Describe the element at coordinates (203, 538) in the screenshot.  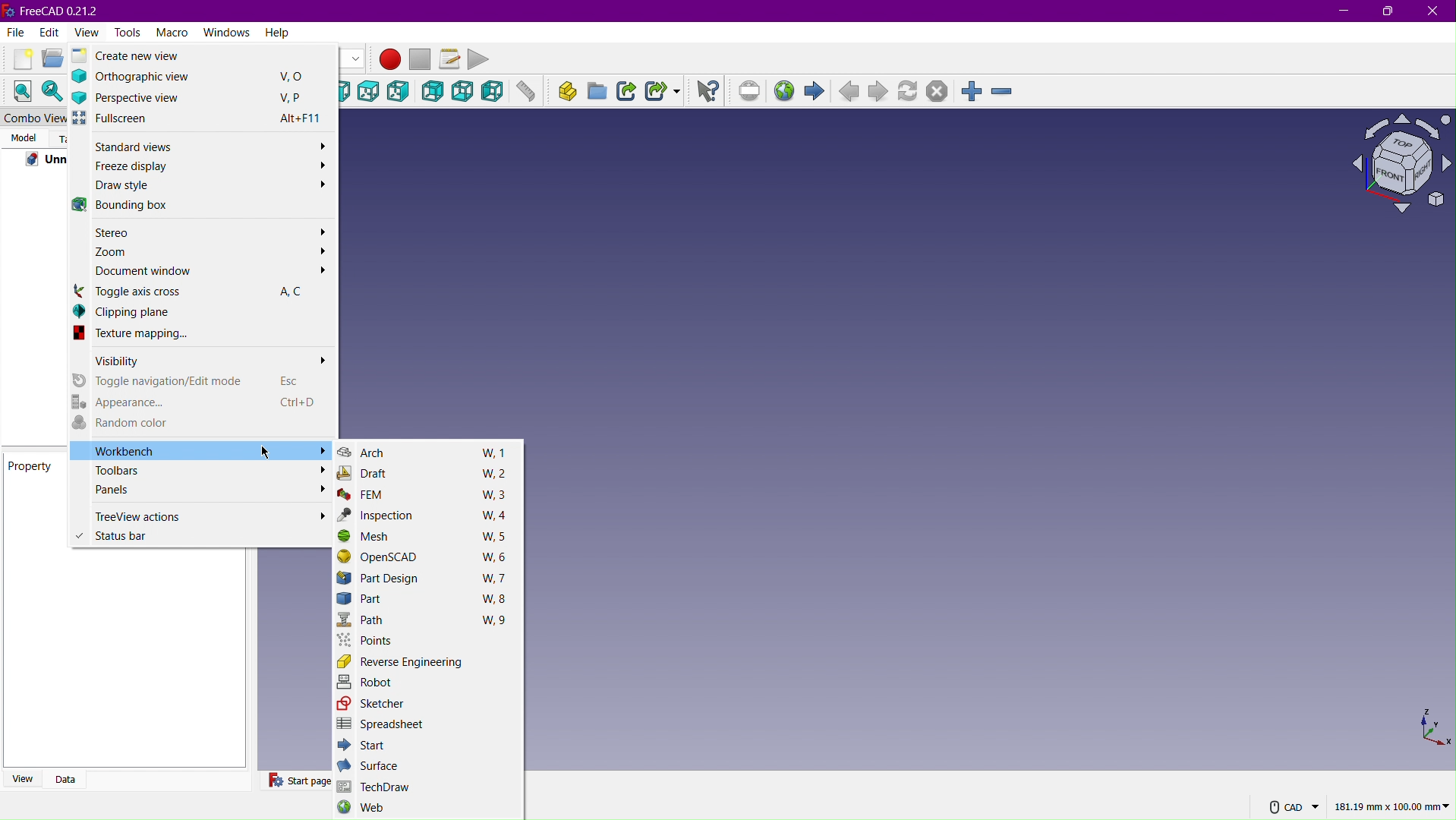
I see `Status bar` at that location.